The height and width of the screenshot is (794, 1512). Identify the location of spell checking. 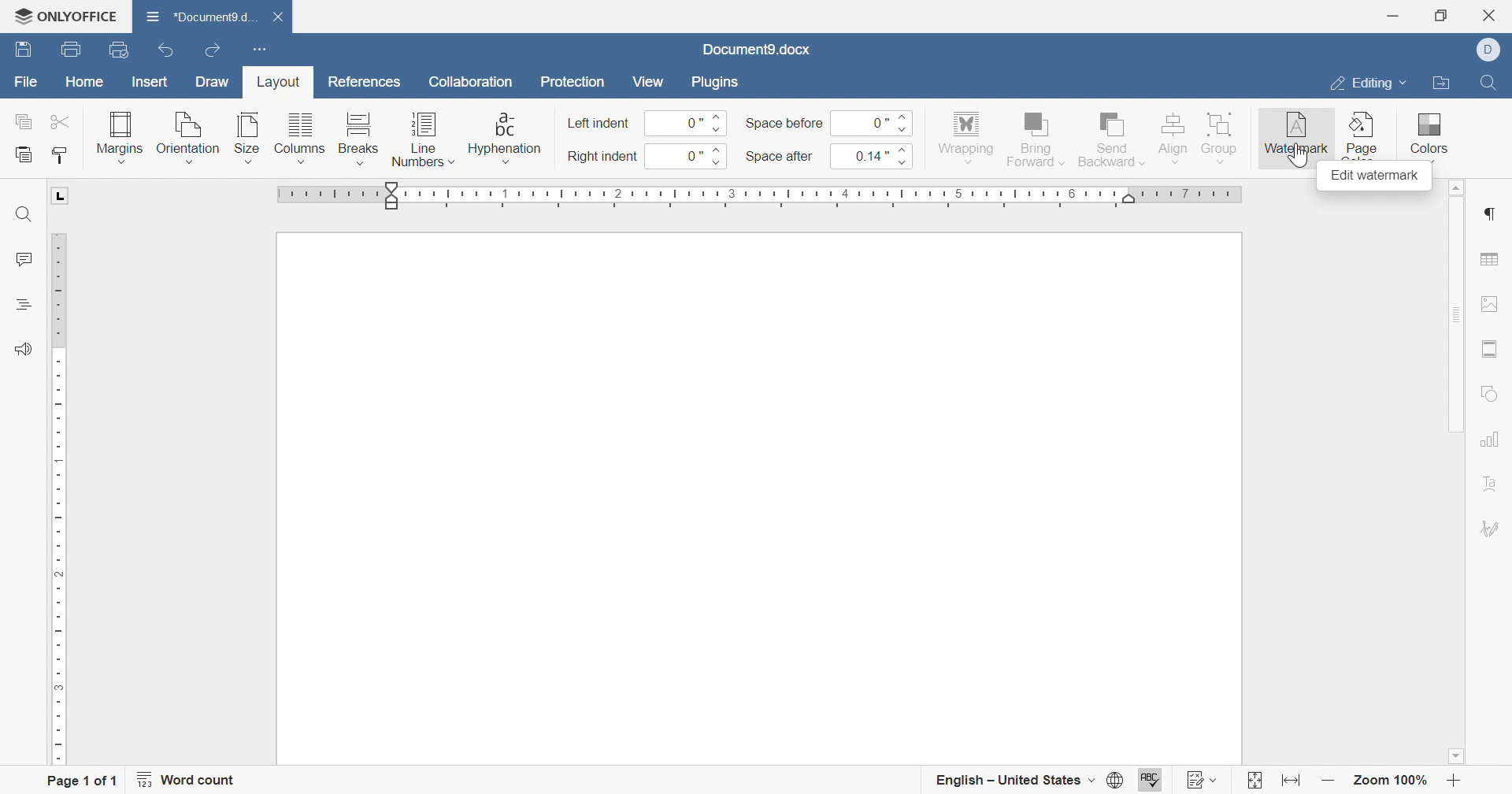
(1152, 781).